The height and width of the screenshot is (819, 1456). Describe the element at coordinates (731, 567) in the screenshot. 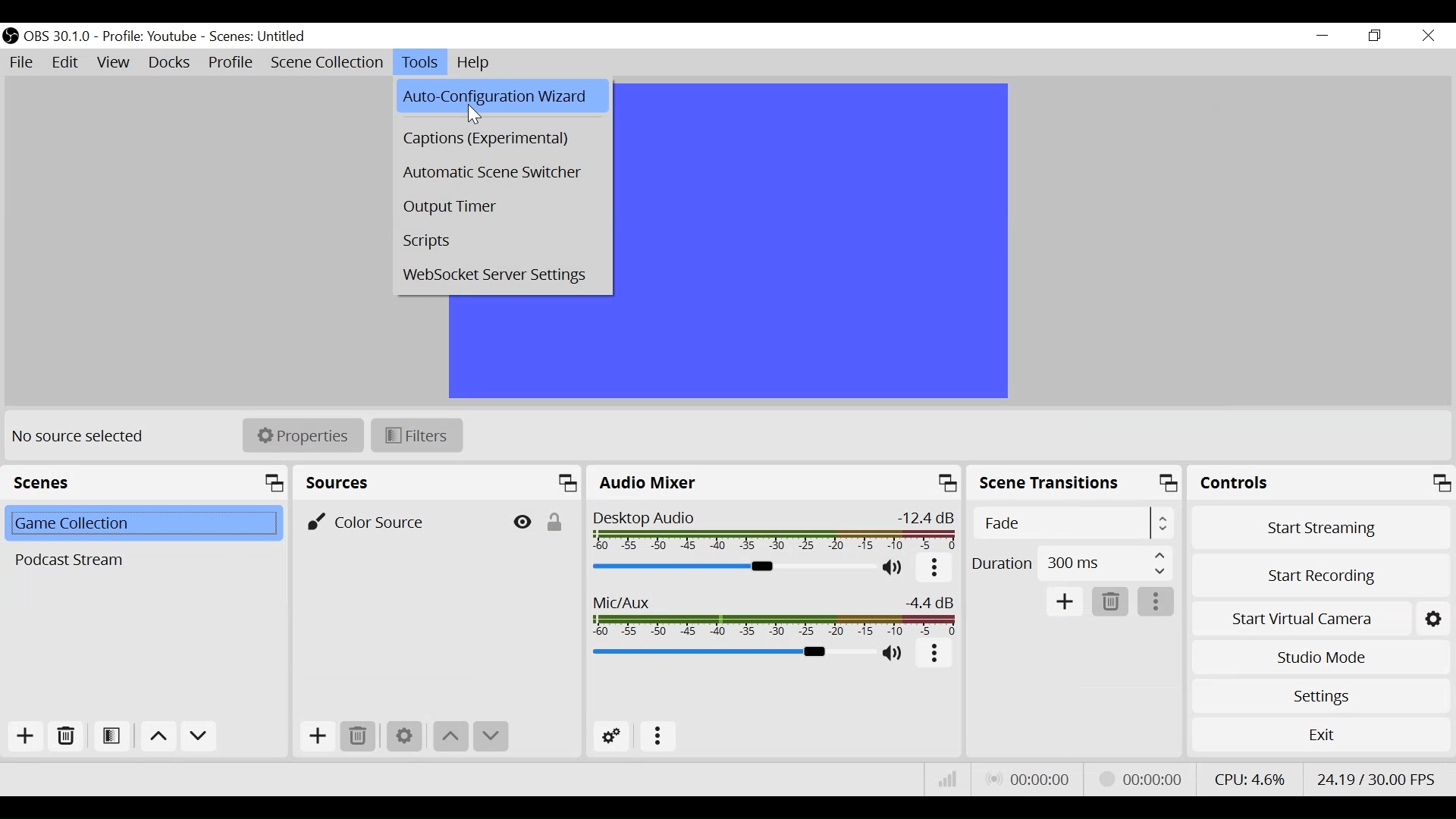

I see `Audio Mixer Slider` at that location.